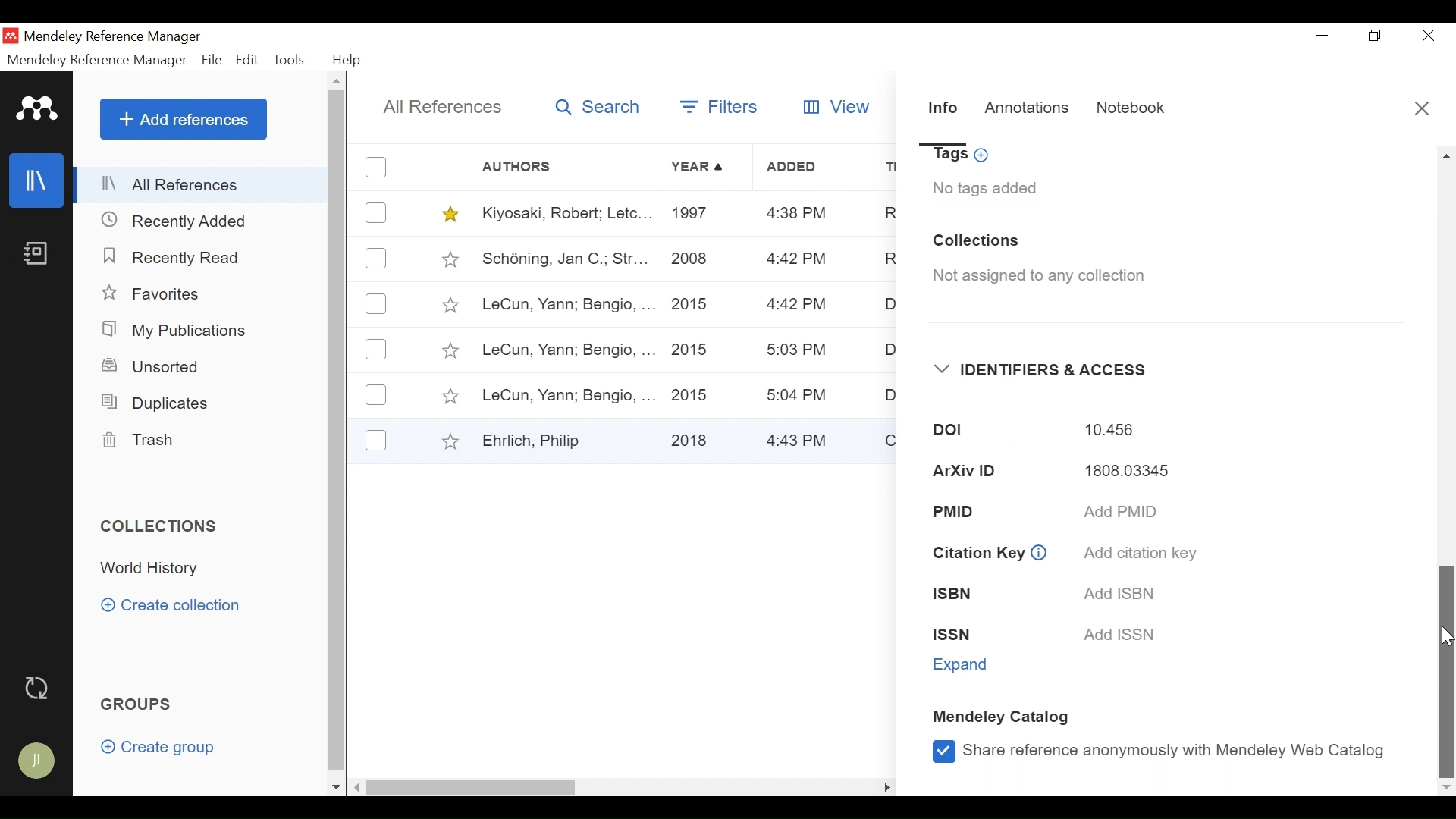  Describe the element at coordinates (134, 704) in the screenshot. I see `Groups` at that location.